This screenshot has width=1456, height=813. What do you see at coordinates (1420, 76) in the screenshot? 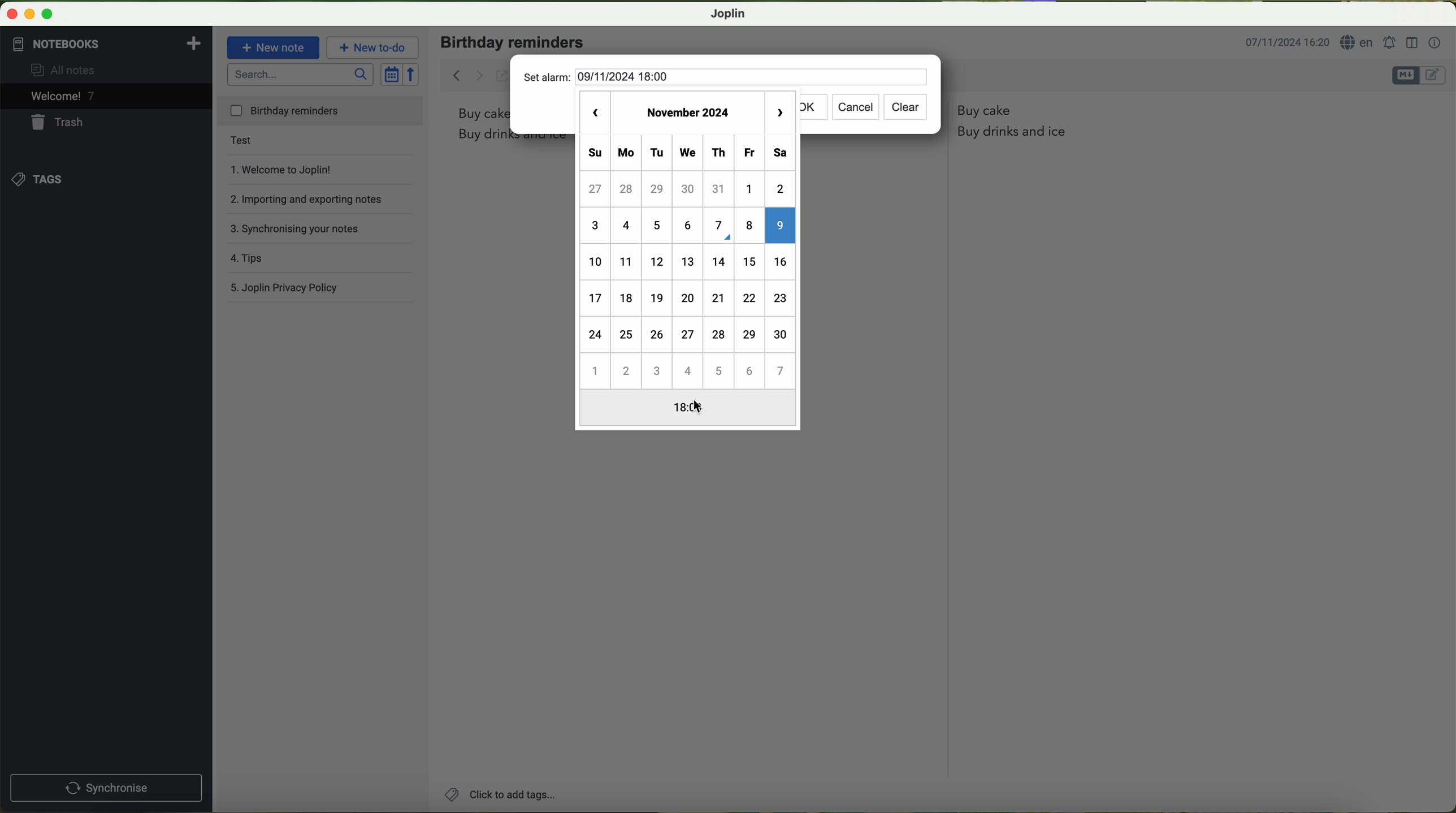
I see `toggle editors` at bounding box center [1420, 76].